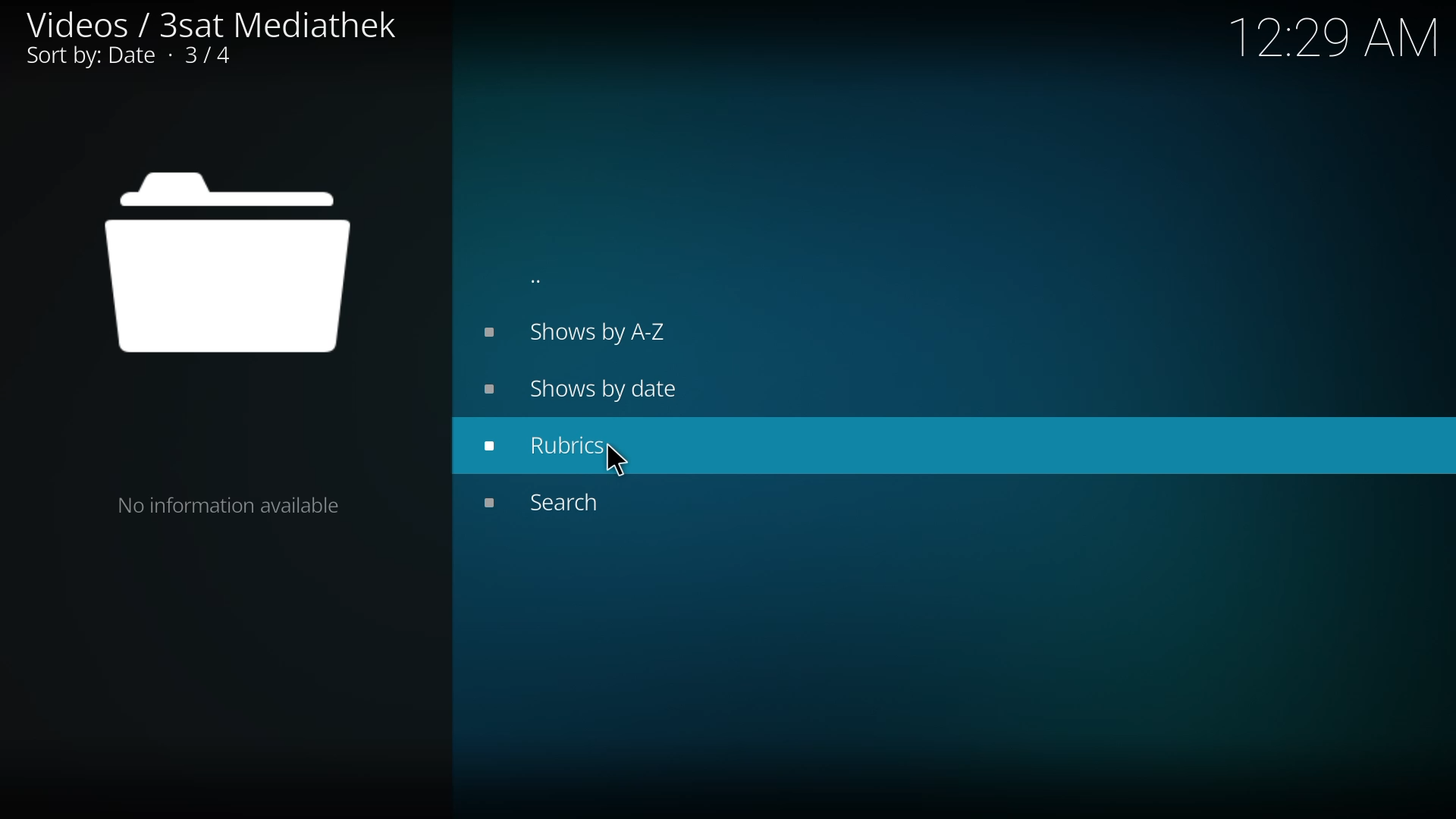 The height and width of the screenshot is (819, 1456). What do you see at coordinates (537, 281) in the screenshot?
I see `back` at bounding box center [537, 281].